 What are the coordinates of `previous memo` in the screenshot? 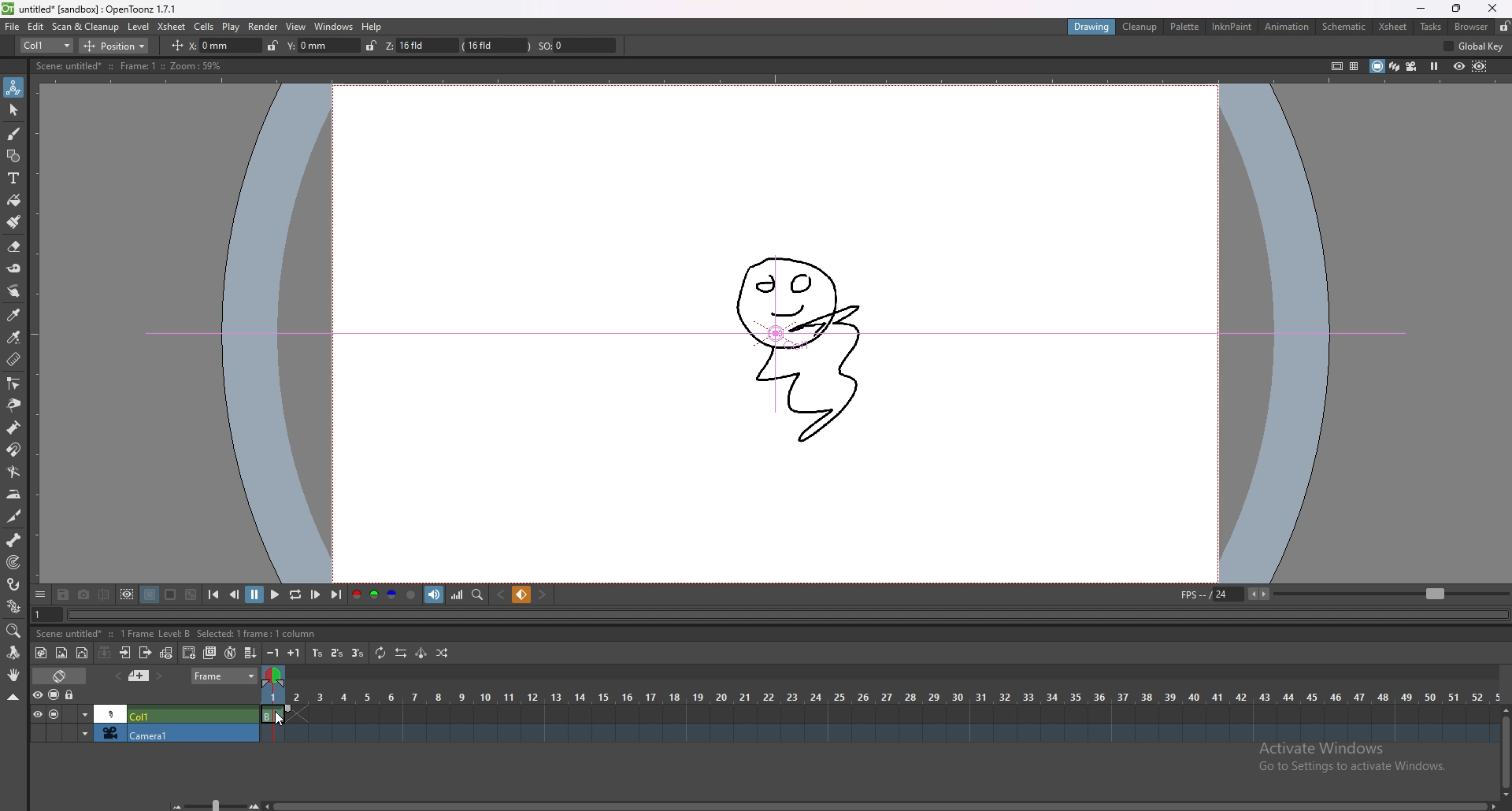 It's located at (117, 676).